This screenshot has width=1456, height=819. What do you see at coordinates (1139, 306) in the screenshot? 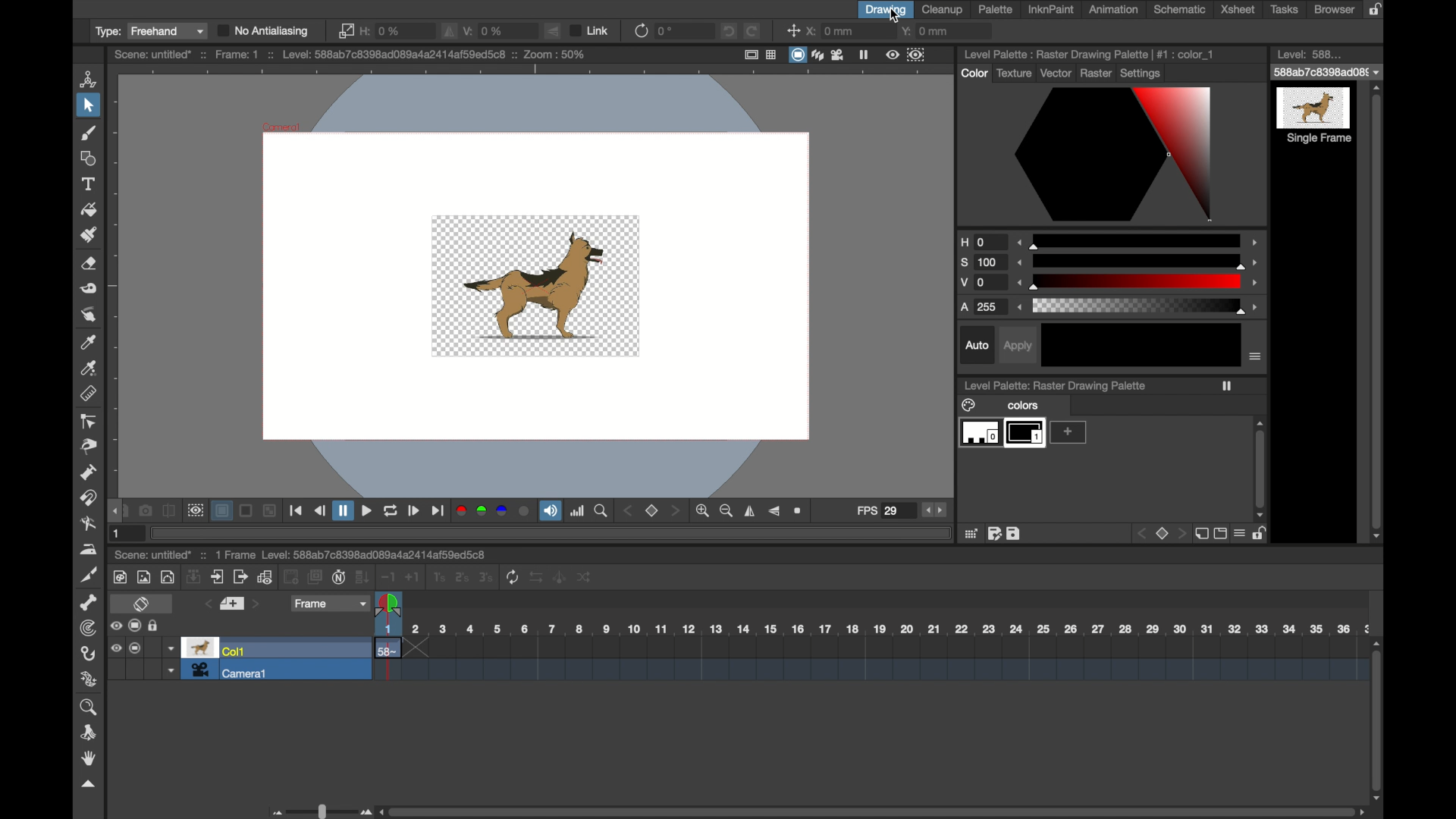
I see `slider` at bounding box center [1139, 306].